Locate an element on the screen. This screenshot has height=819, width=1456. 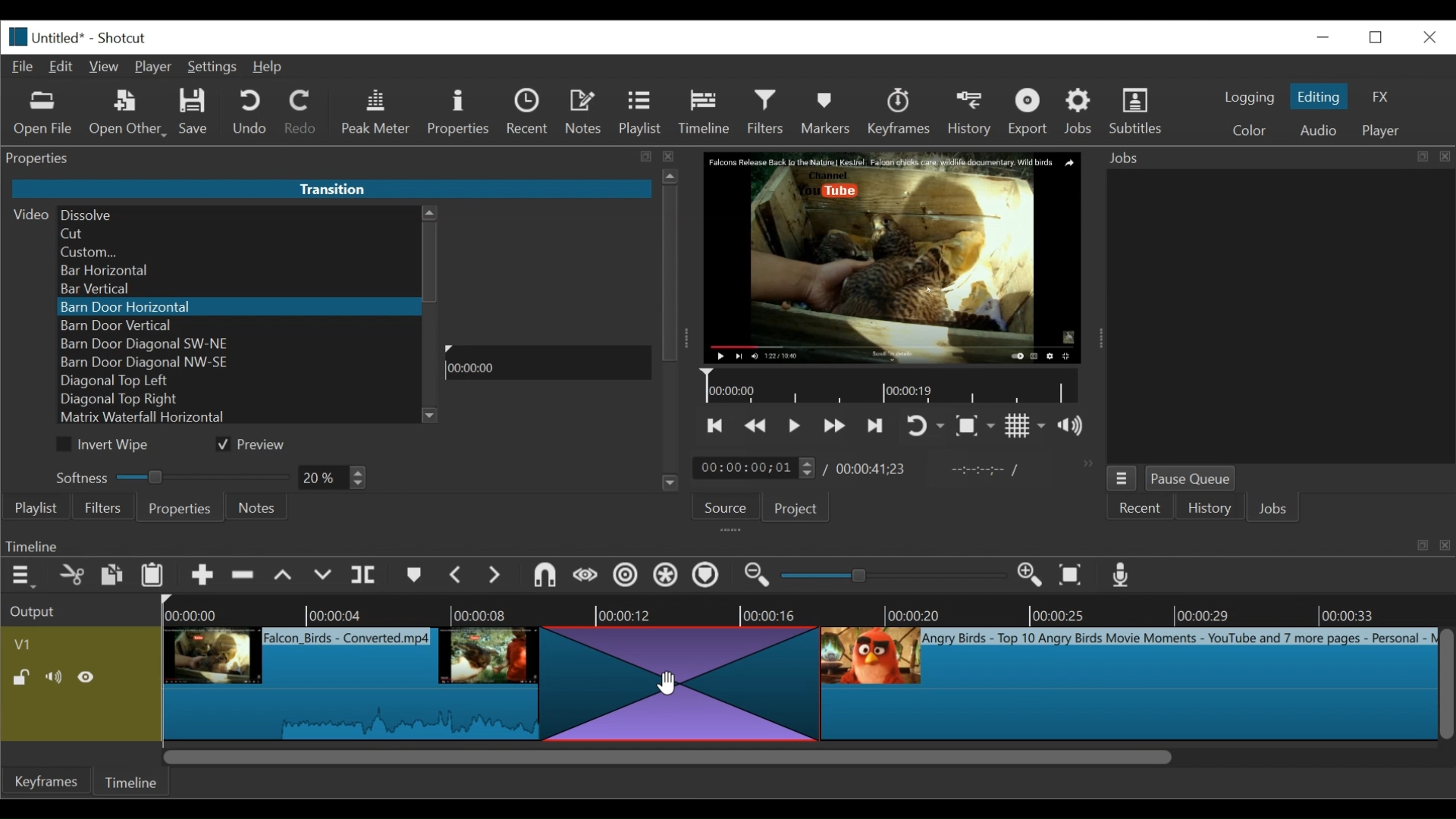
Transition Preview is located at coordinates (550, 275).